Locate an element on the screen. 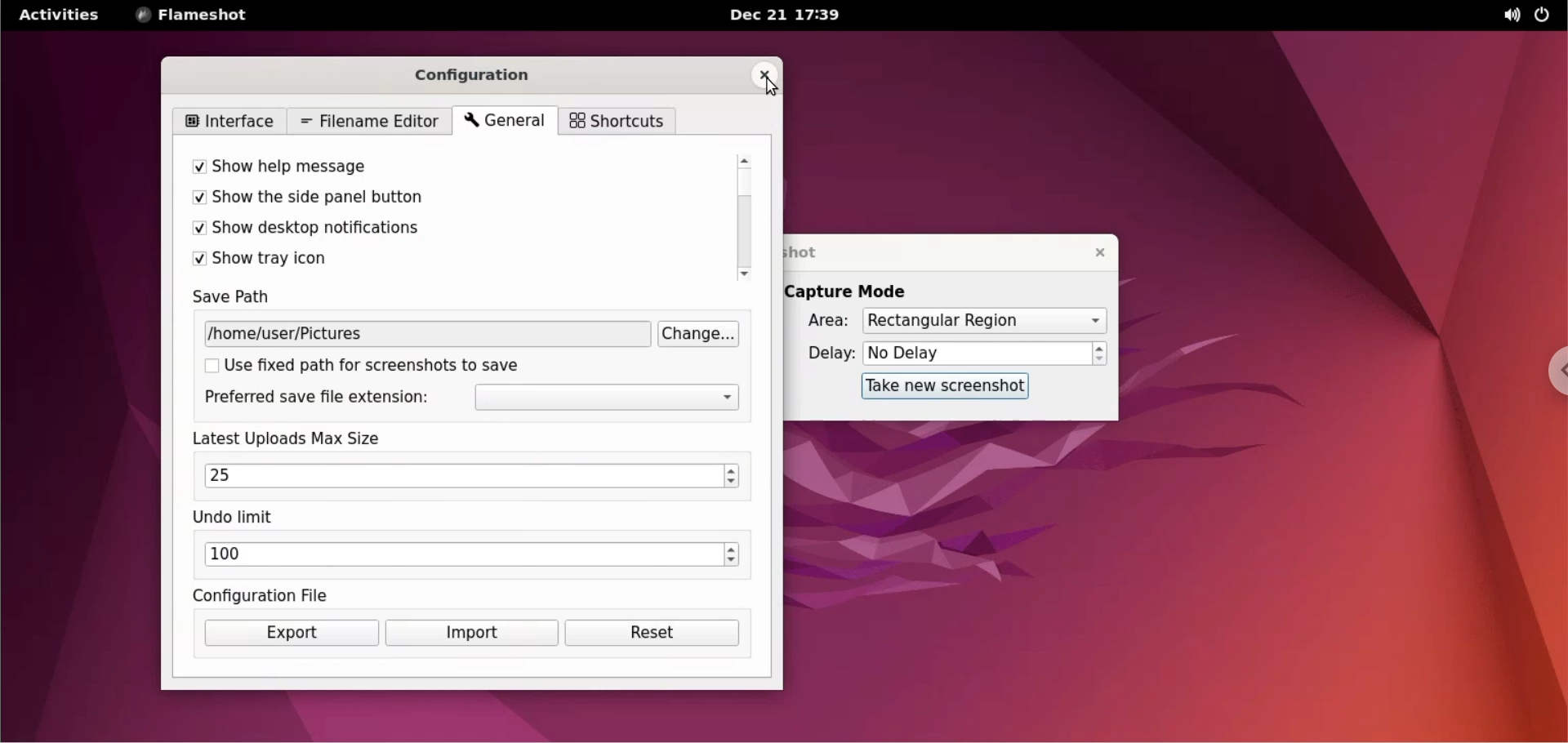  show the side panel button checkbox is located at coordinates (434, 199).